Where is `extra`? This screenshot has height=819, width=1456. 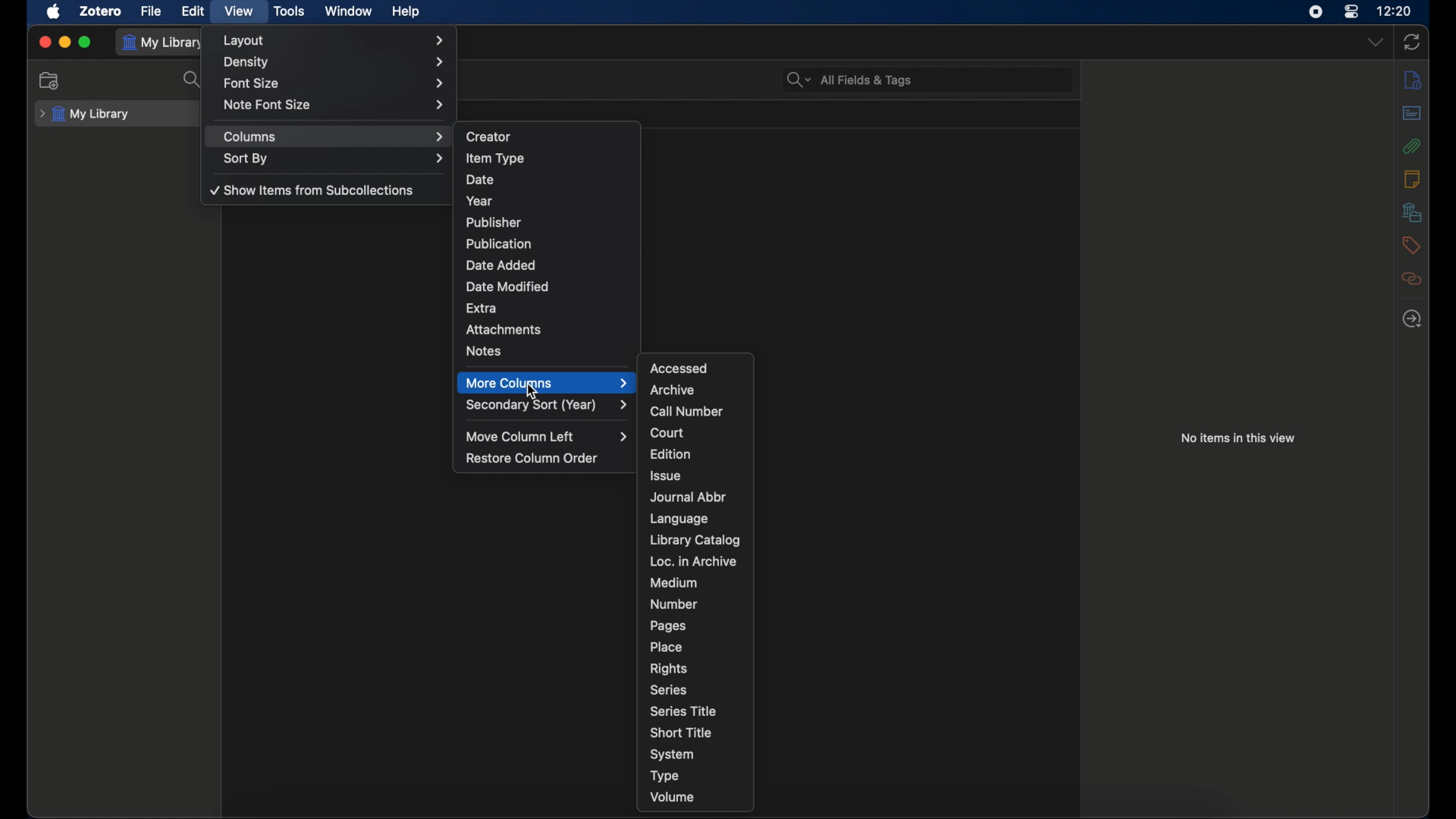 extra is located at coordinates (482, 307).